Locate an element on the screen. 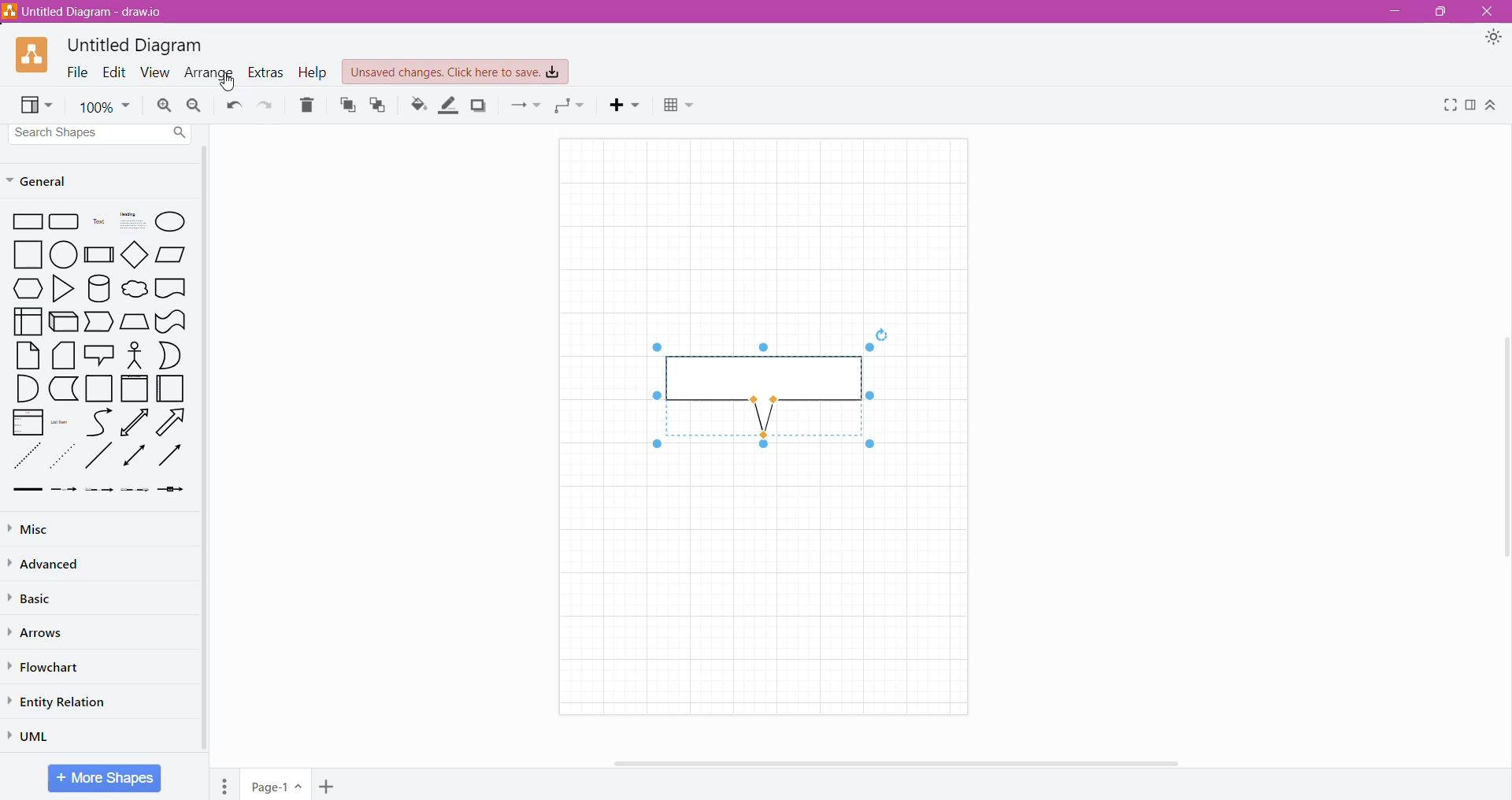  View is located at coordinates (38, 106).